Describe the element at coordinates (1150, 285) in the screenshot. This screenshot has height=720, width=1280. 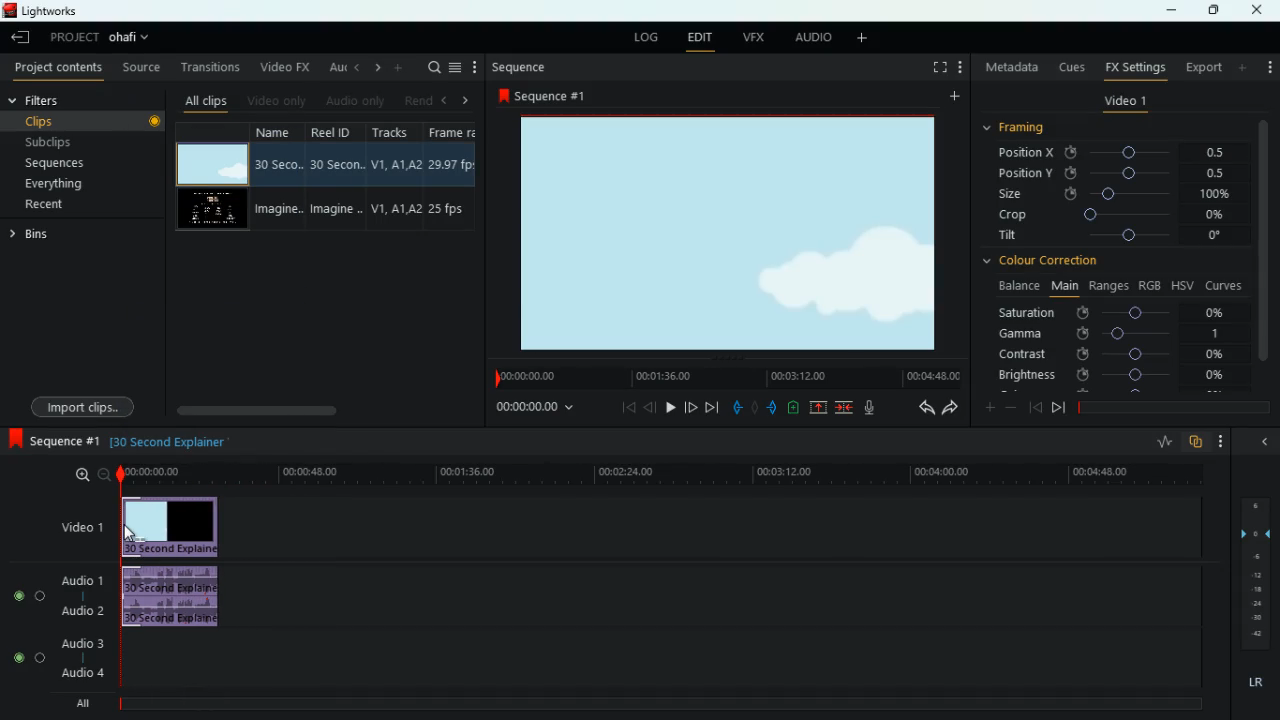
I see `rgb` at that location.